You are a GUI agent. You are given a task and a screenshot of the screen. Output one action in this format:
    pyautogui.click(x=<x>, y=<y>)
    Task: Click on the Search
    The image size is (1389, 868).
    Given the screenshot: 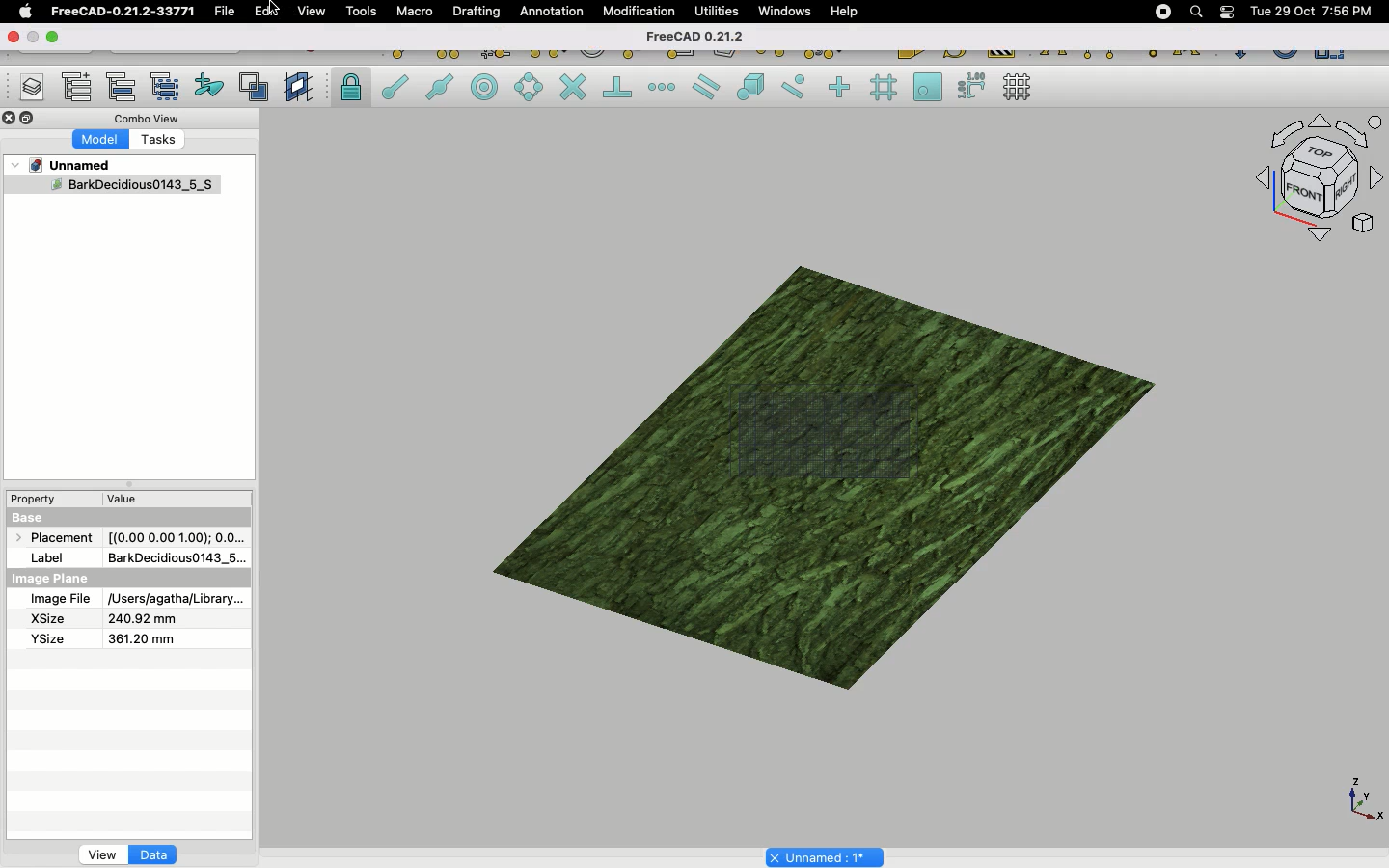 What is the action you would take?
    pyautogui.click(x=1195, y=12)
    